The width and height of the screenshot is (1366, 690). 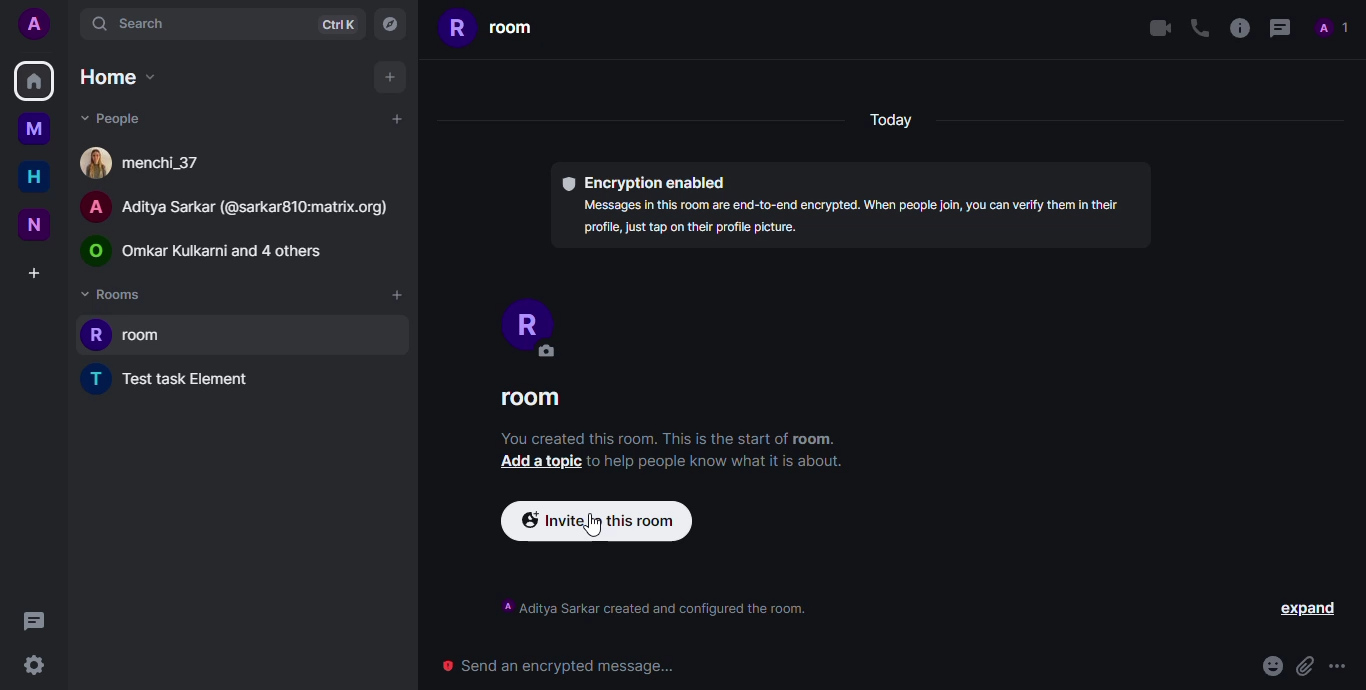 What do you see at coordinates (35, 664) in the screenshot?
I see `quick settings` at bounding box center [35, 664].